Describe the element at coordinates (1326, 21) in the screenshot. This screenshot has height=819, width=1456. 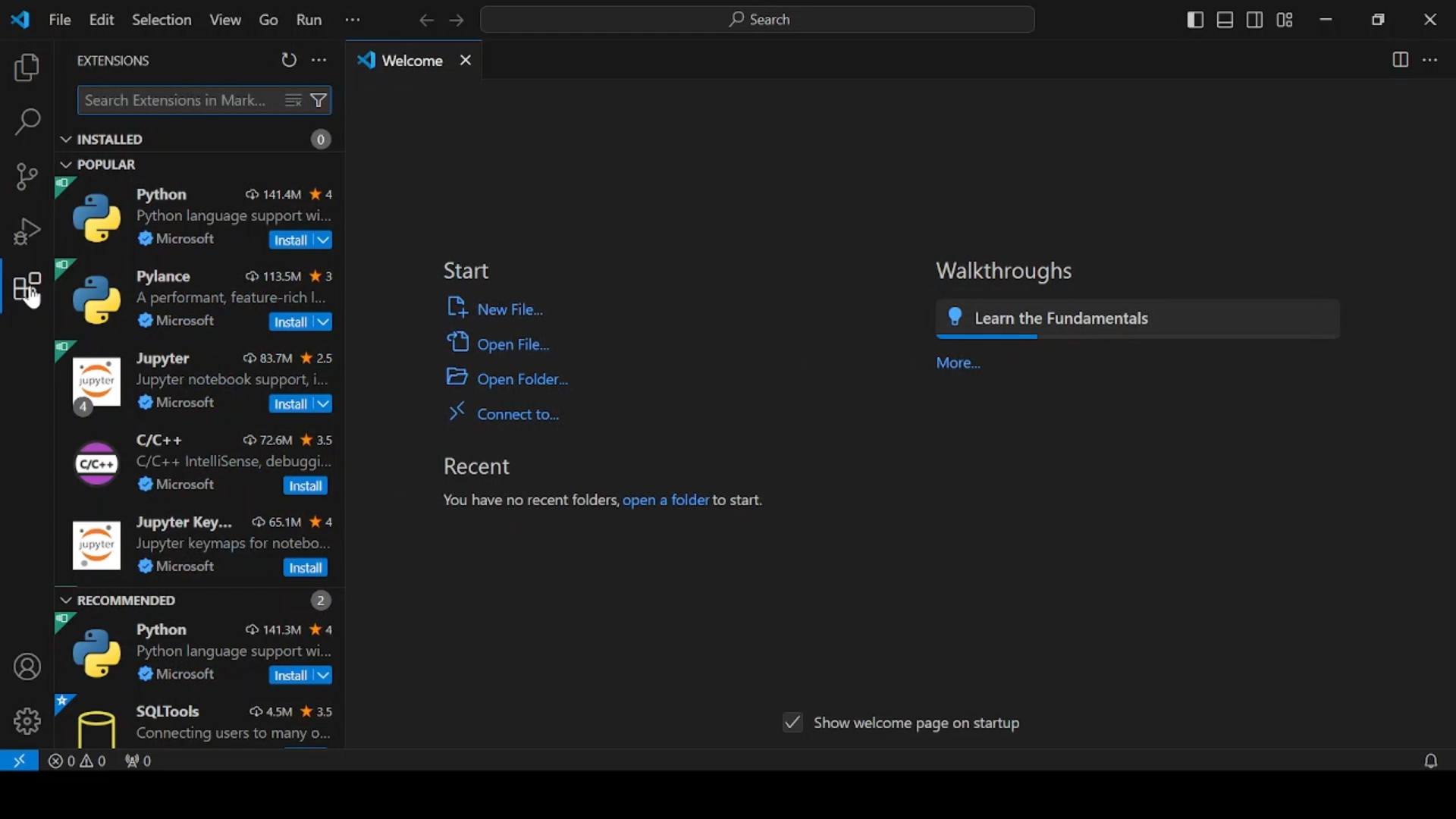
I see `minimize` at that location.